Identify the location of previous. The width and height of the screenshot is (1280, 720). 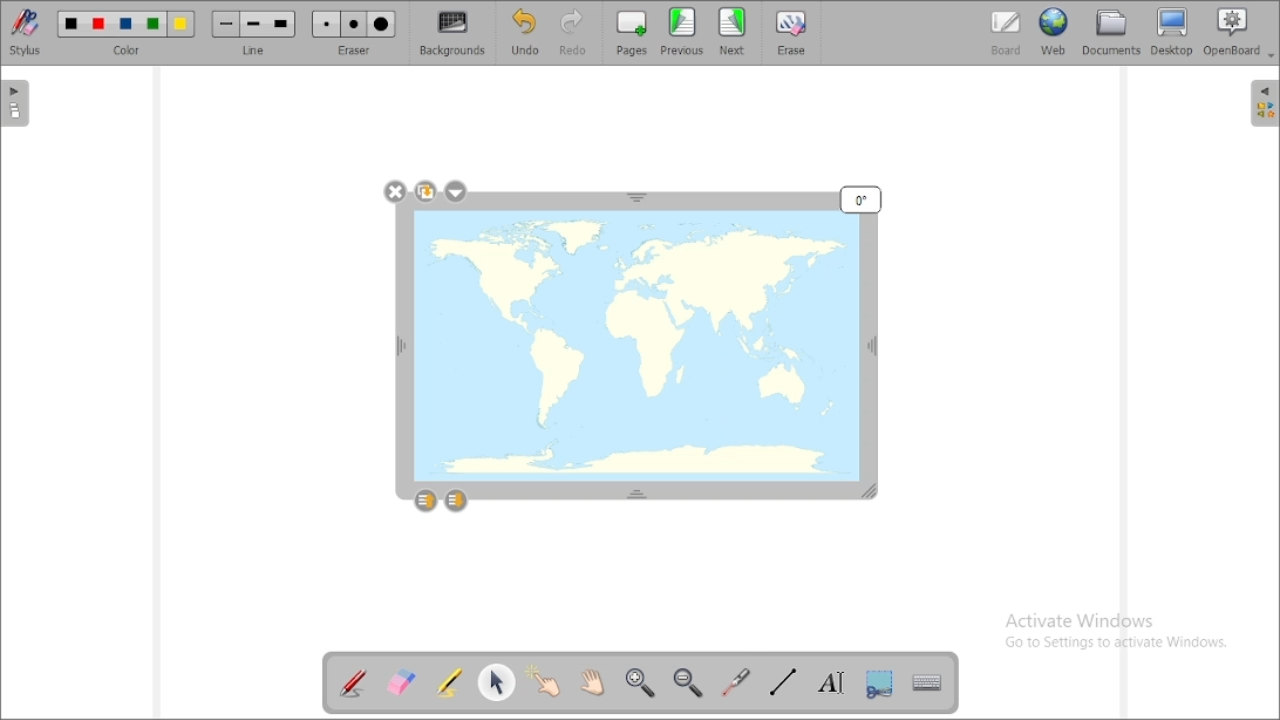
(682, 31).